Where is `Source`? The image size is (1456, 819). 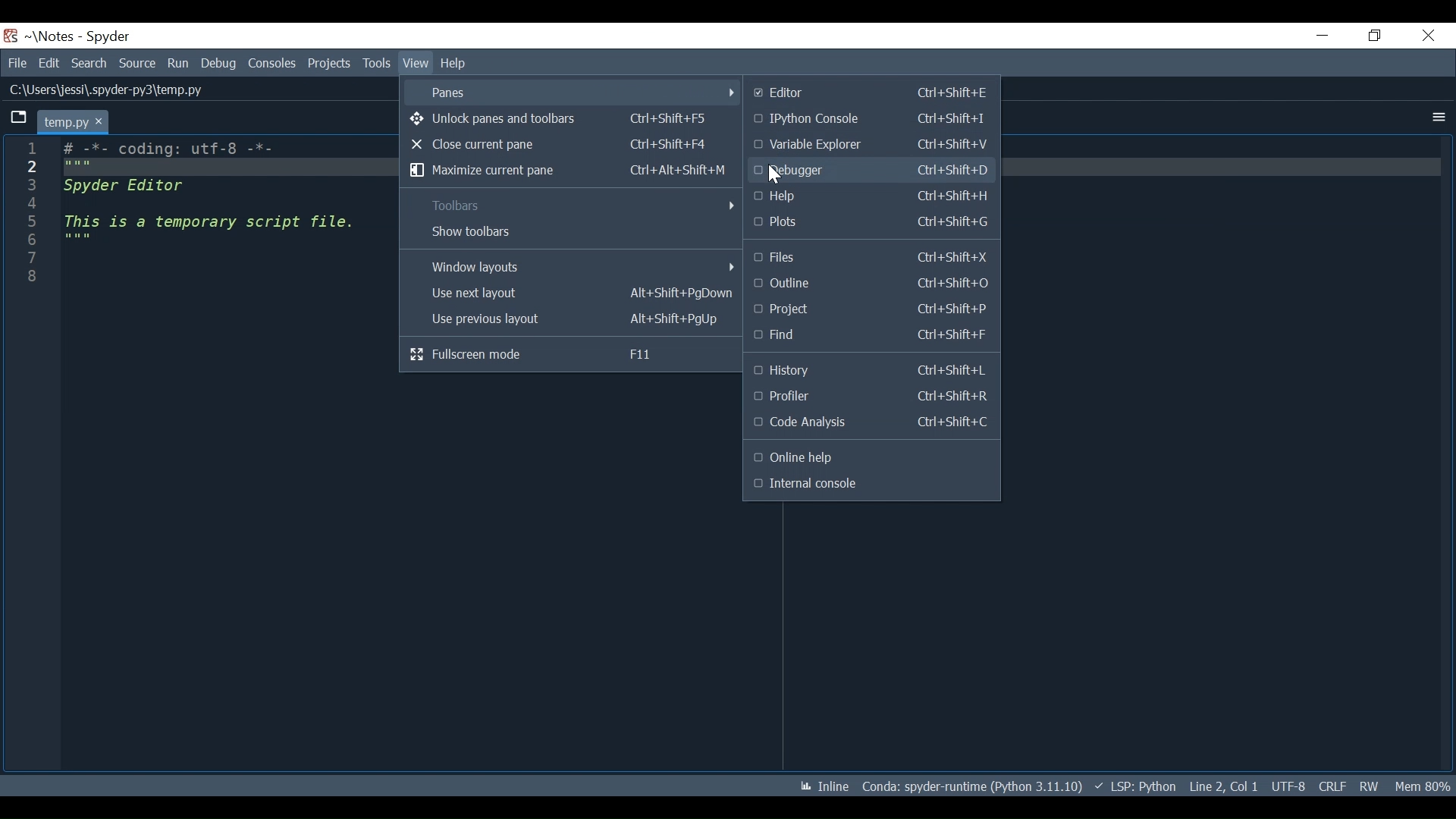 Source is located at coordinates (138, 64).